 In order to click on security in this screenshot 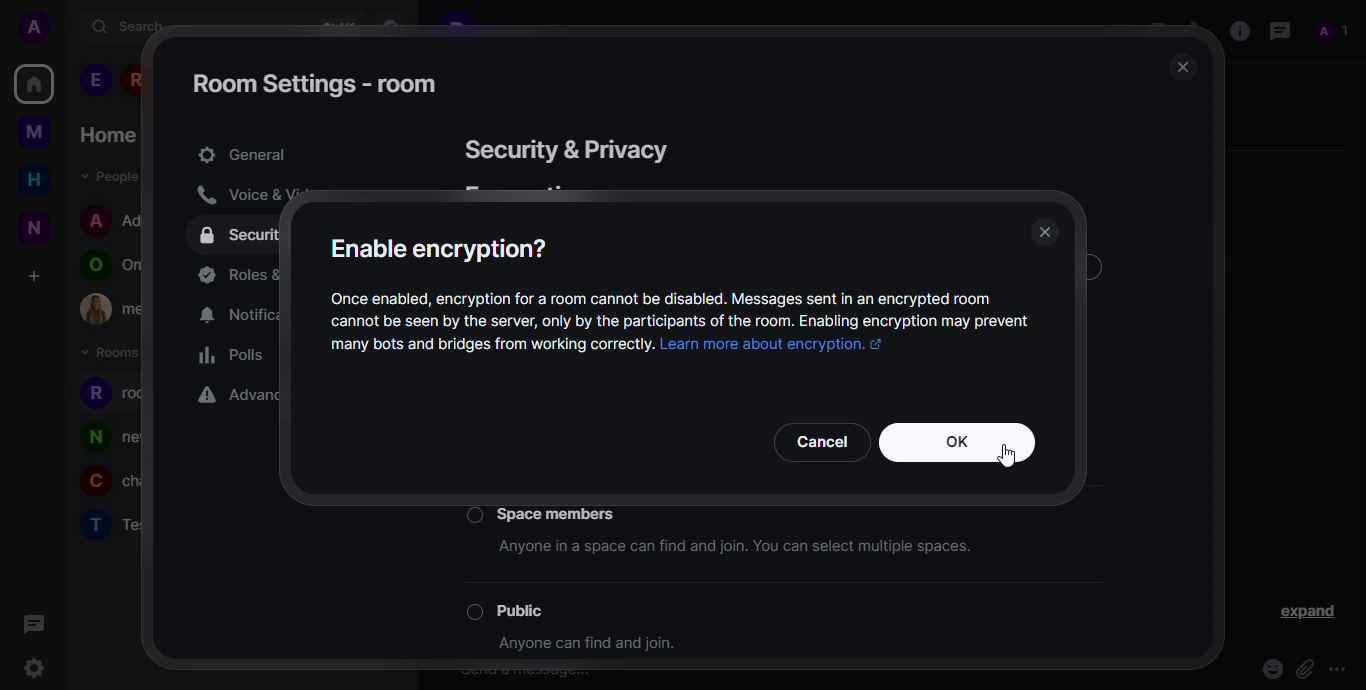, I will do `click(563, 150)`.